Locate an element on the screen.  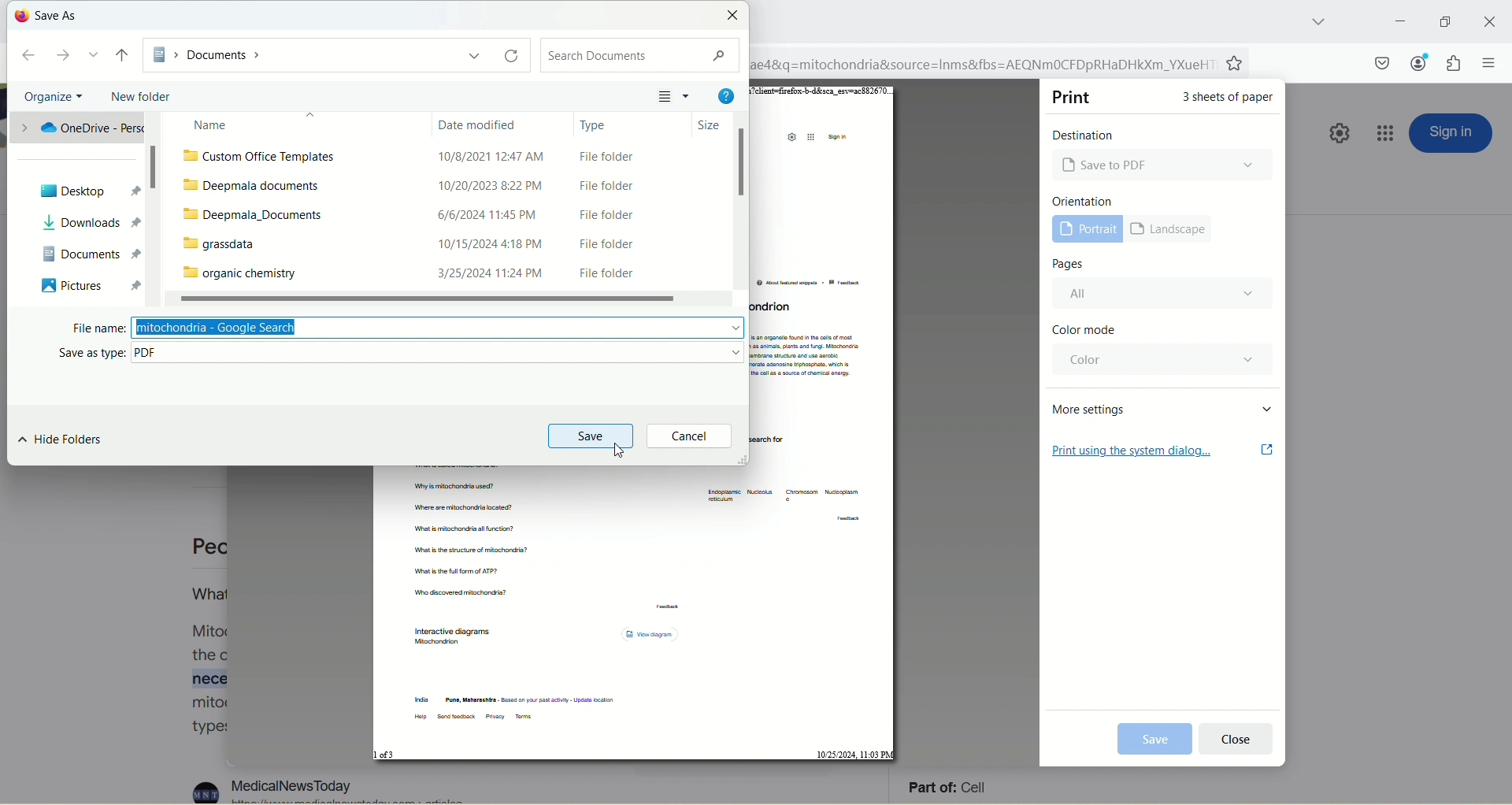
destination is located at coordinates (1087, 134).